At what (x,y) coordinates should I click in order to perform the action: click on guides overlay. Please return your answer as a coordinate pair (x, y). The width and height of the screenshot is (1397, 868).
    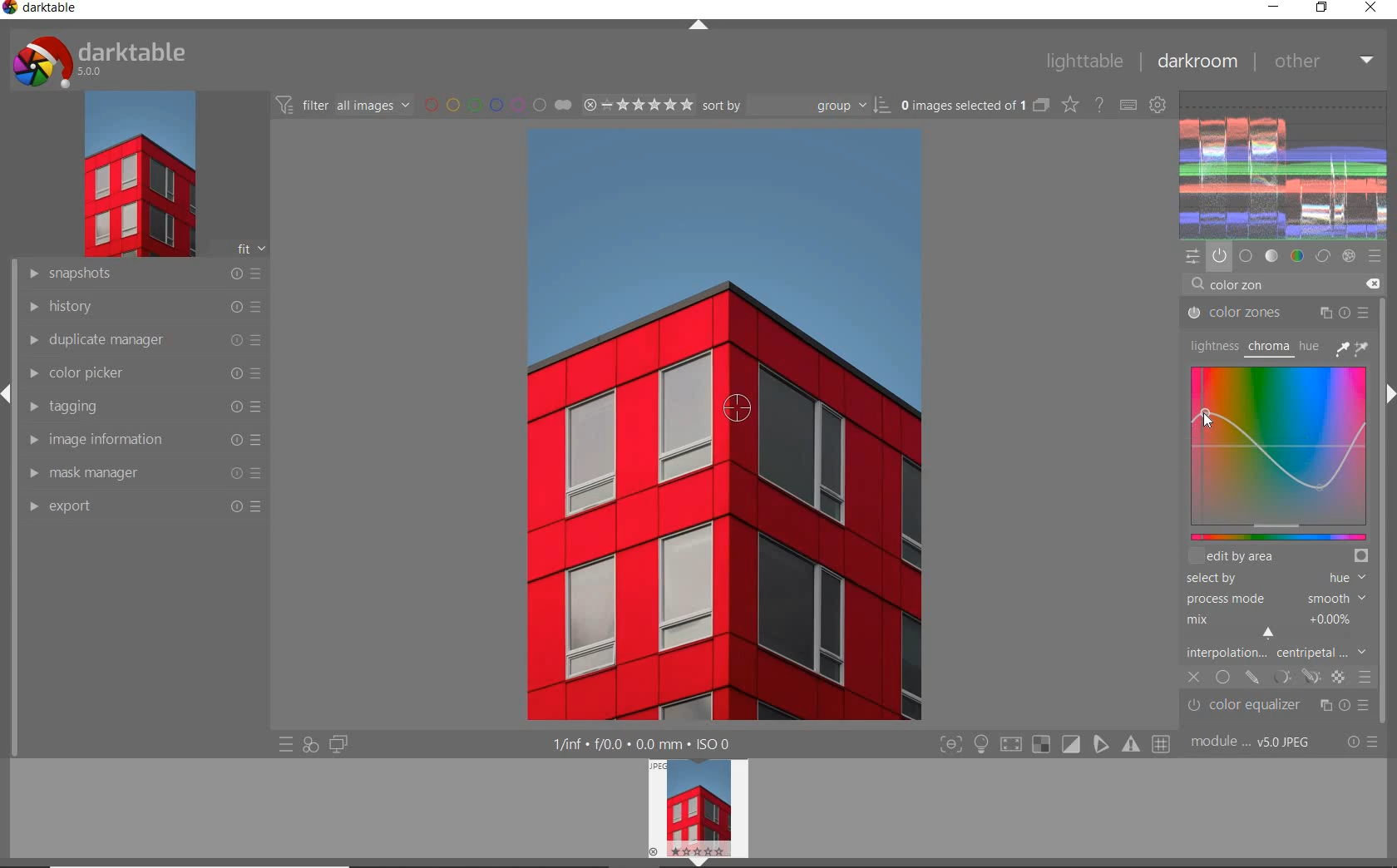
    Looking at the image, I should click on (1100, 745).